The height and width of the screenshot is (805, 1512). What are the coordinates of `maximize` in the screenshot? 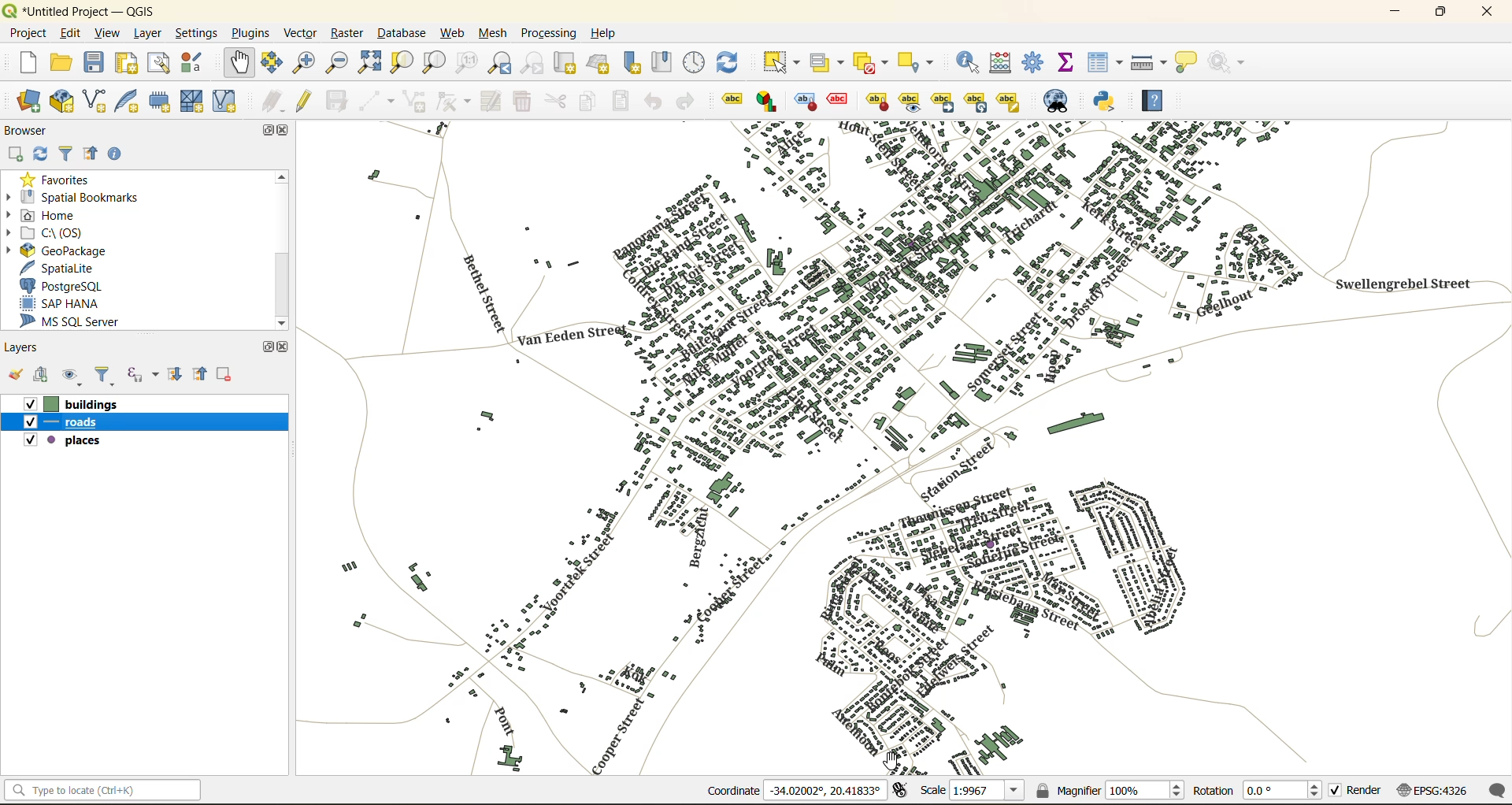 It's located at (269, 132).